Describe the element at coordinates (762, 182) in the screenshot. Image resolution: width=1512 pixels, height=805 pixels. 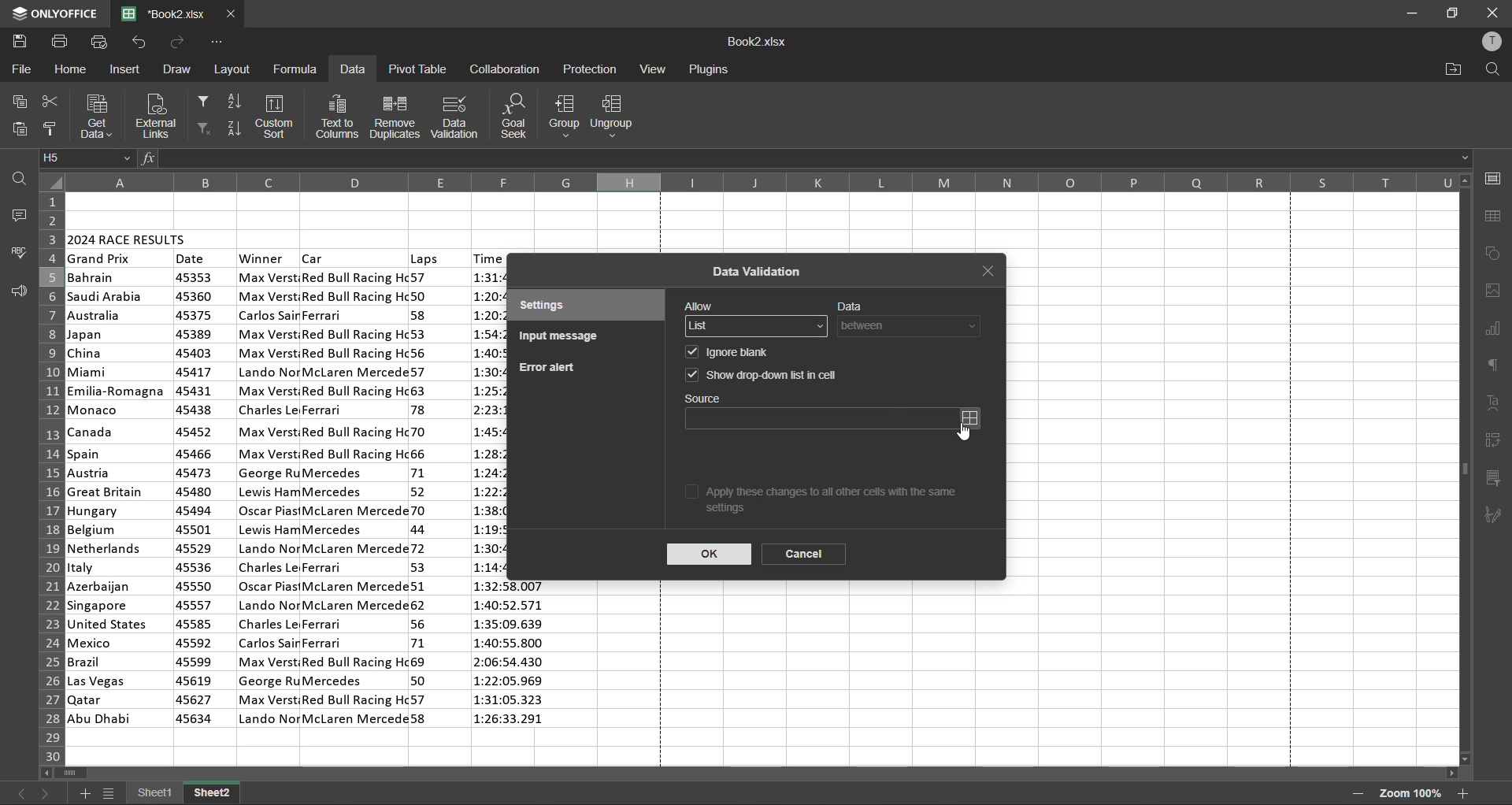
I see `column names` at that location.